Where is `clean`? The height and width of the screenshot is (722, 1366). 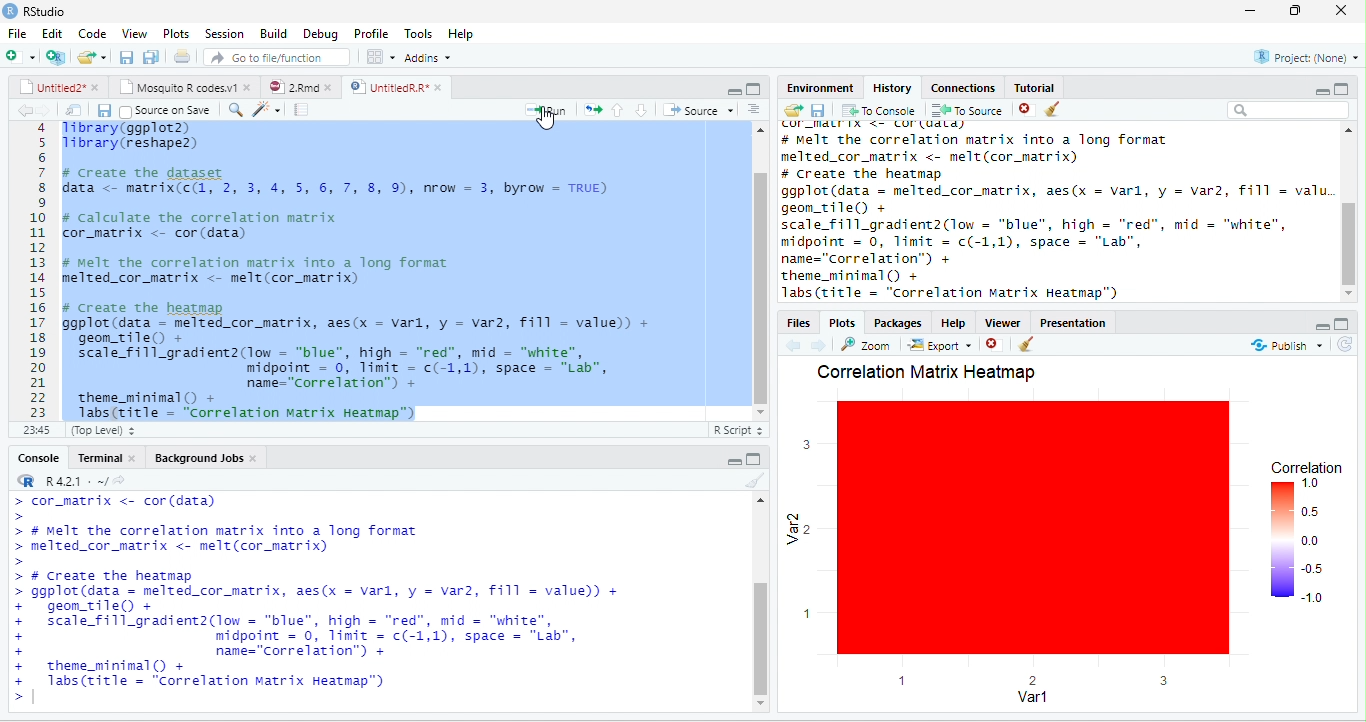 clean is located at coordinates (746, 482).